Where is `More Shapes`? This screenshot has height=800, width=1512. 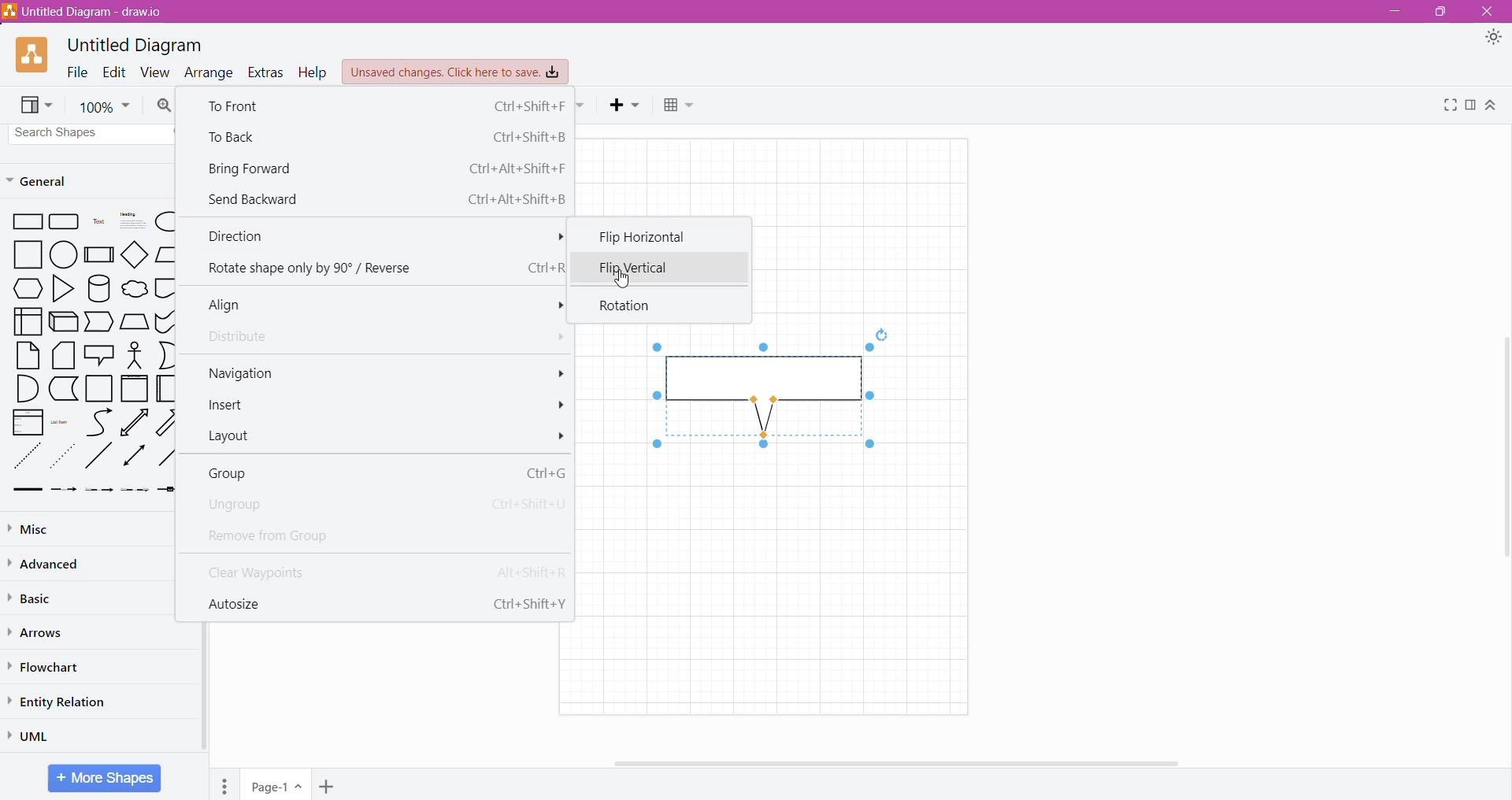 More Shapes is located at coordinates (104, 778).